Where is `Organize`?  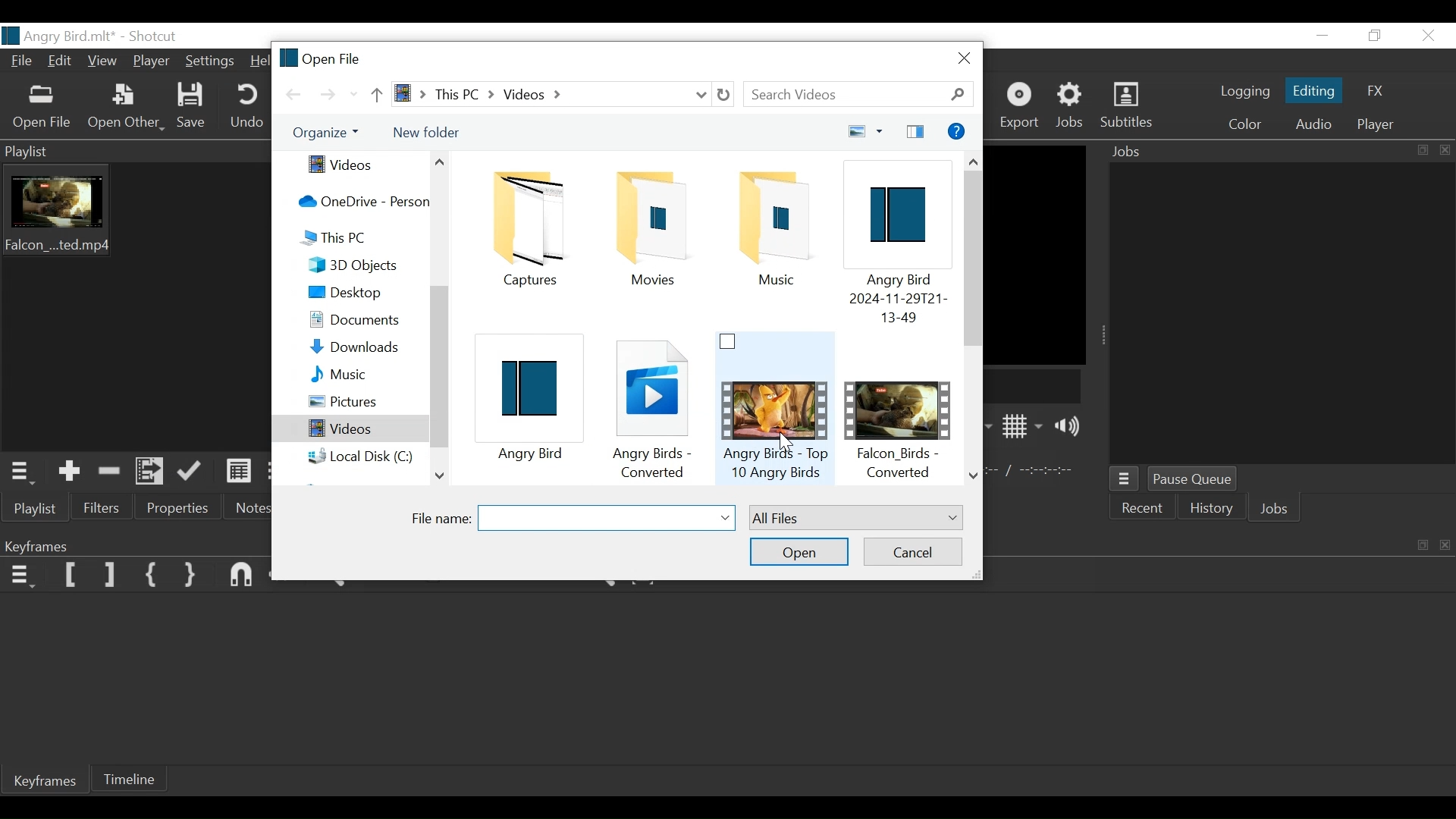
Organize is located at coordinates (329, 133).